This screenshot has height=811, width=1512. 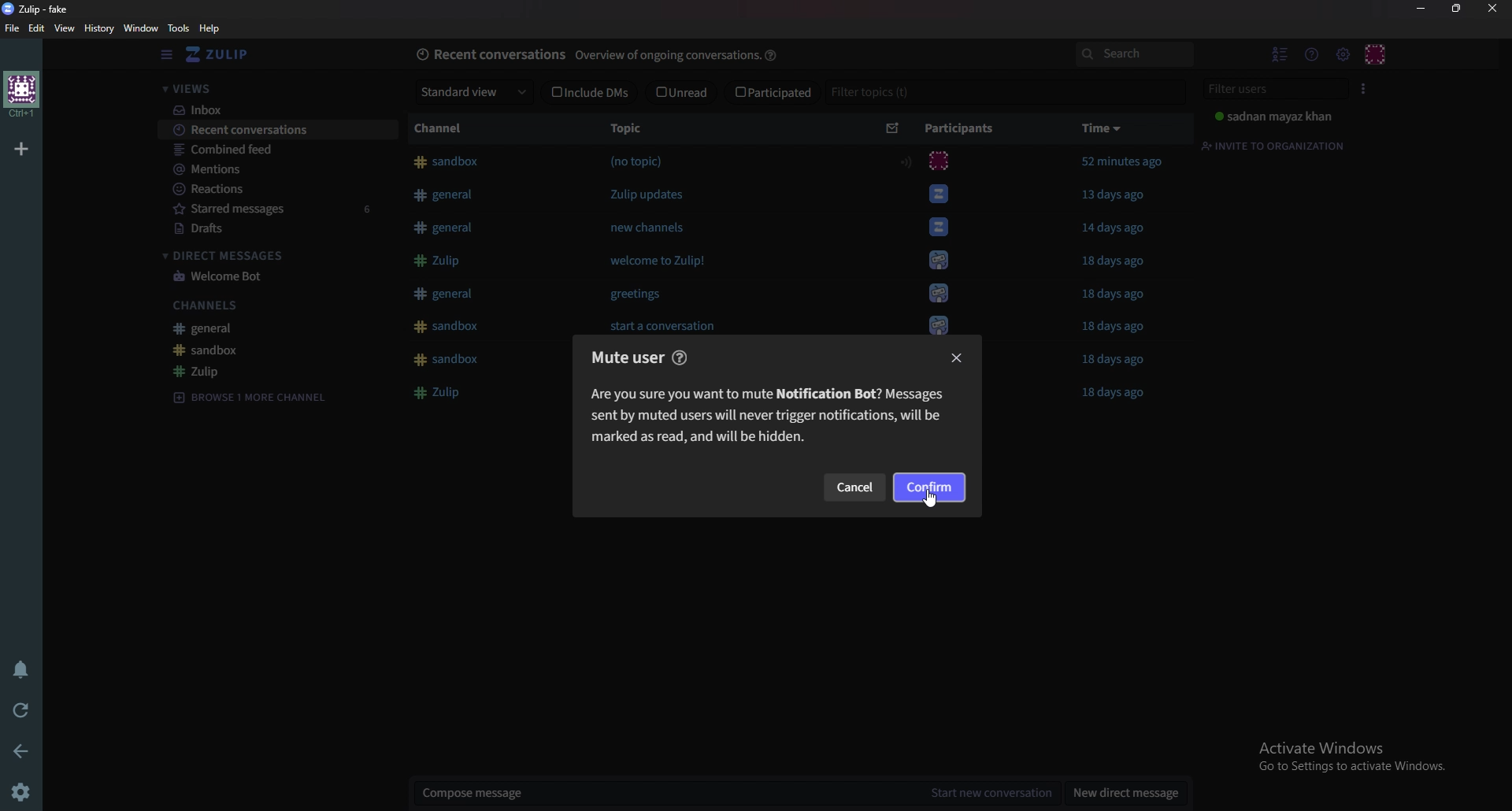 What do you see at coordinates (938, 263) in the screenshot?
I see `icon` at bounding box center [938, 263].